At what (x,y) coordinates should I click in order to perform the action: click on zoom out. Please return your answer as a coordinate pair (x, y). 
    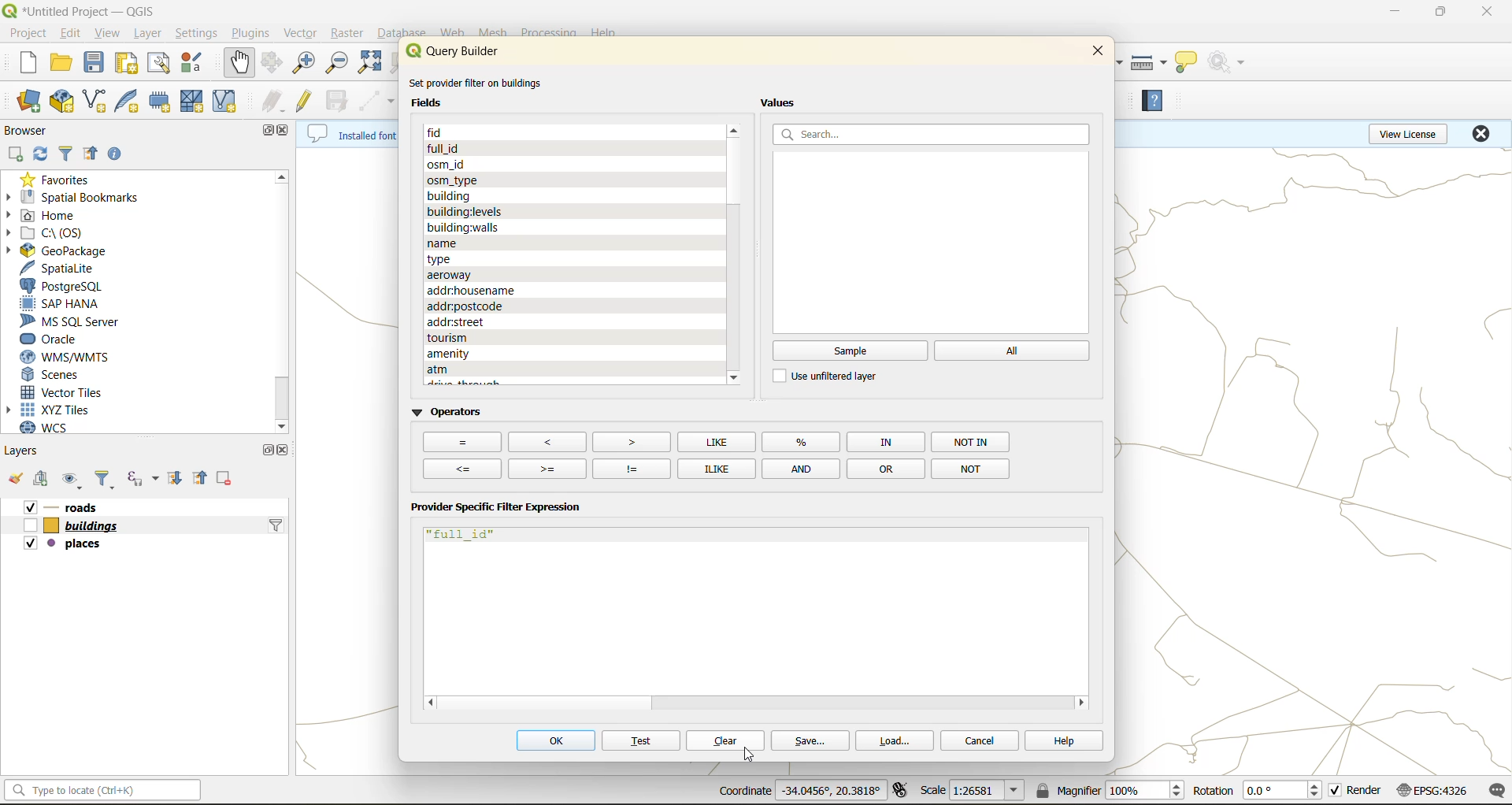
    Looking at the image, I should click on (339, 67).